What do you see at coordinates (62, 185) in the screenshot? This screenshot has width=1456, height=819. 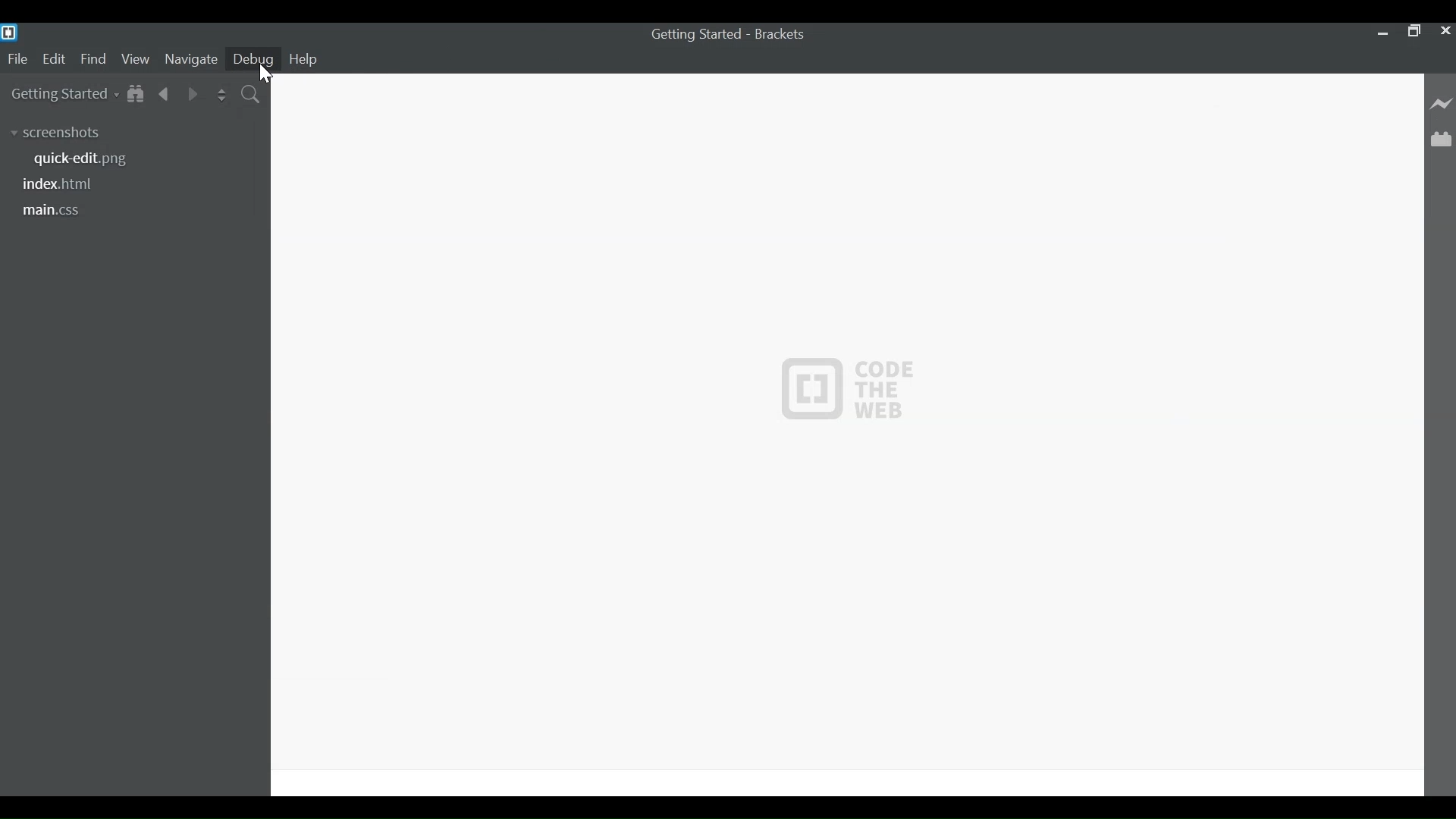 I see `index.html file` at bounding box center [62, 185].